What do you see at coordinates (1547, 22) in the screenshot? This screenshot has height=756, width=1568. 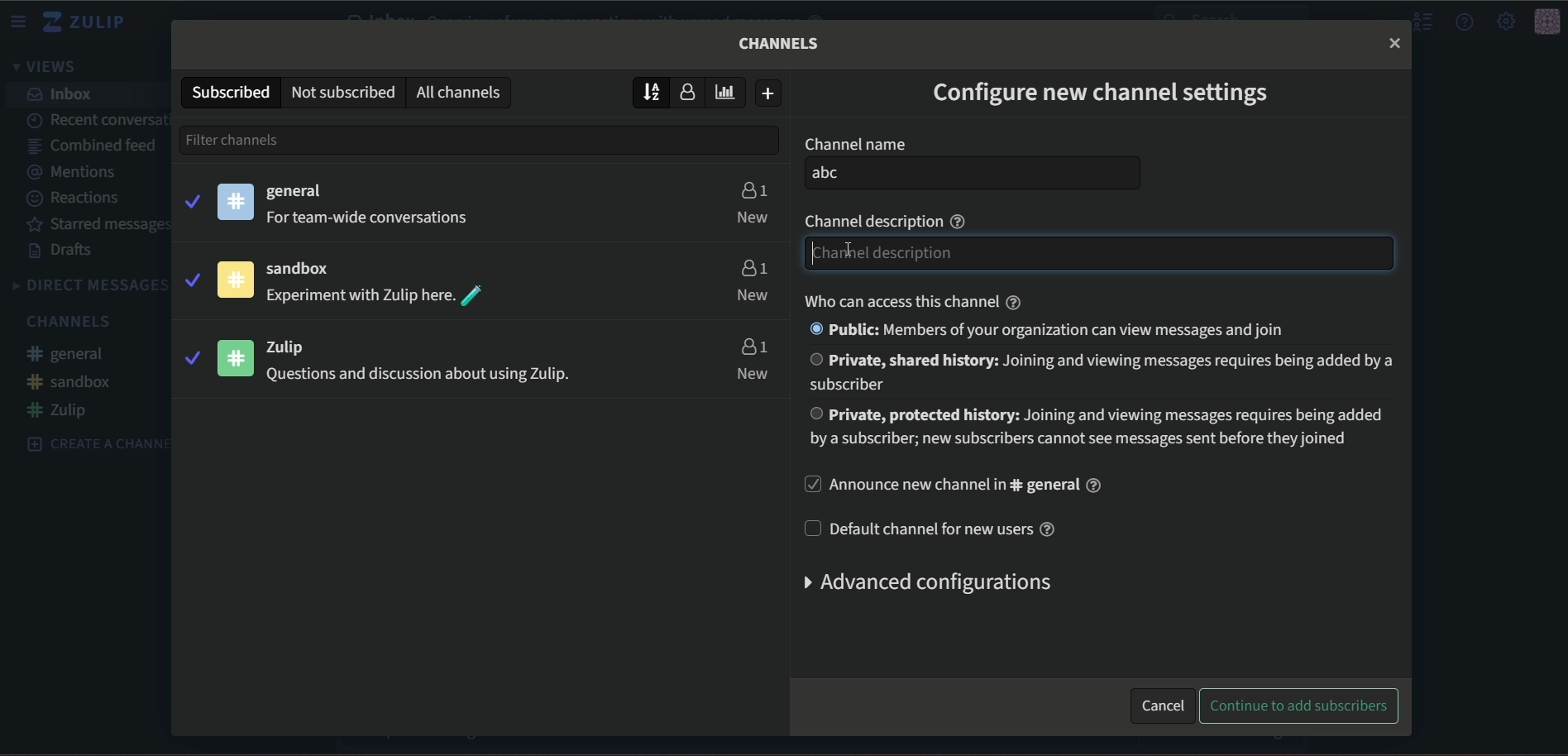 I see `icon` at bounding box center [1547, 22].